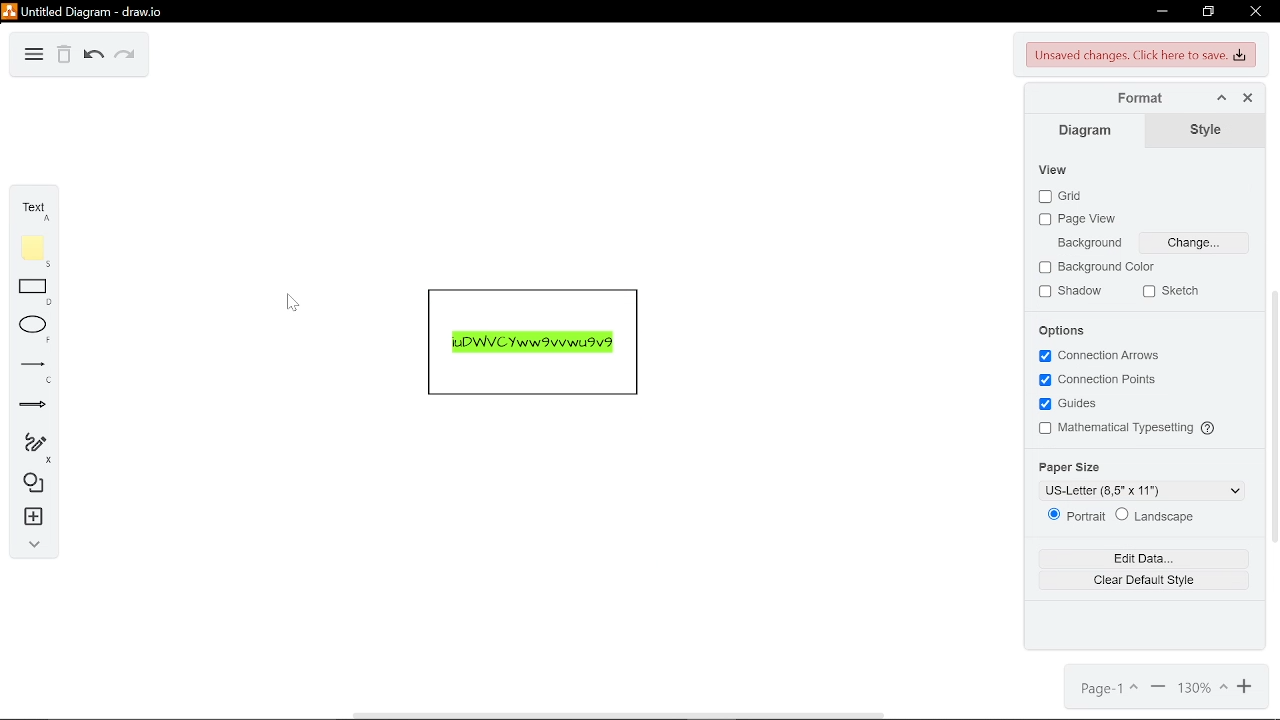  What do you see at coordinates (1068, 406) in the screenshot?
I see `guides` at bounding box center [1068, 406].